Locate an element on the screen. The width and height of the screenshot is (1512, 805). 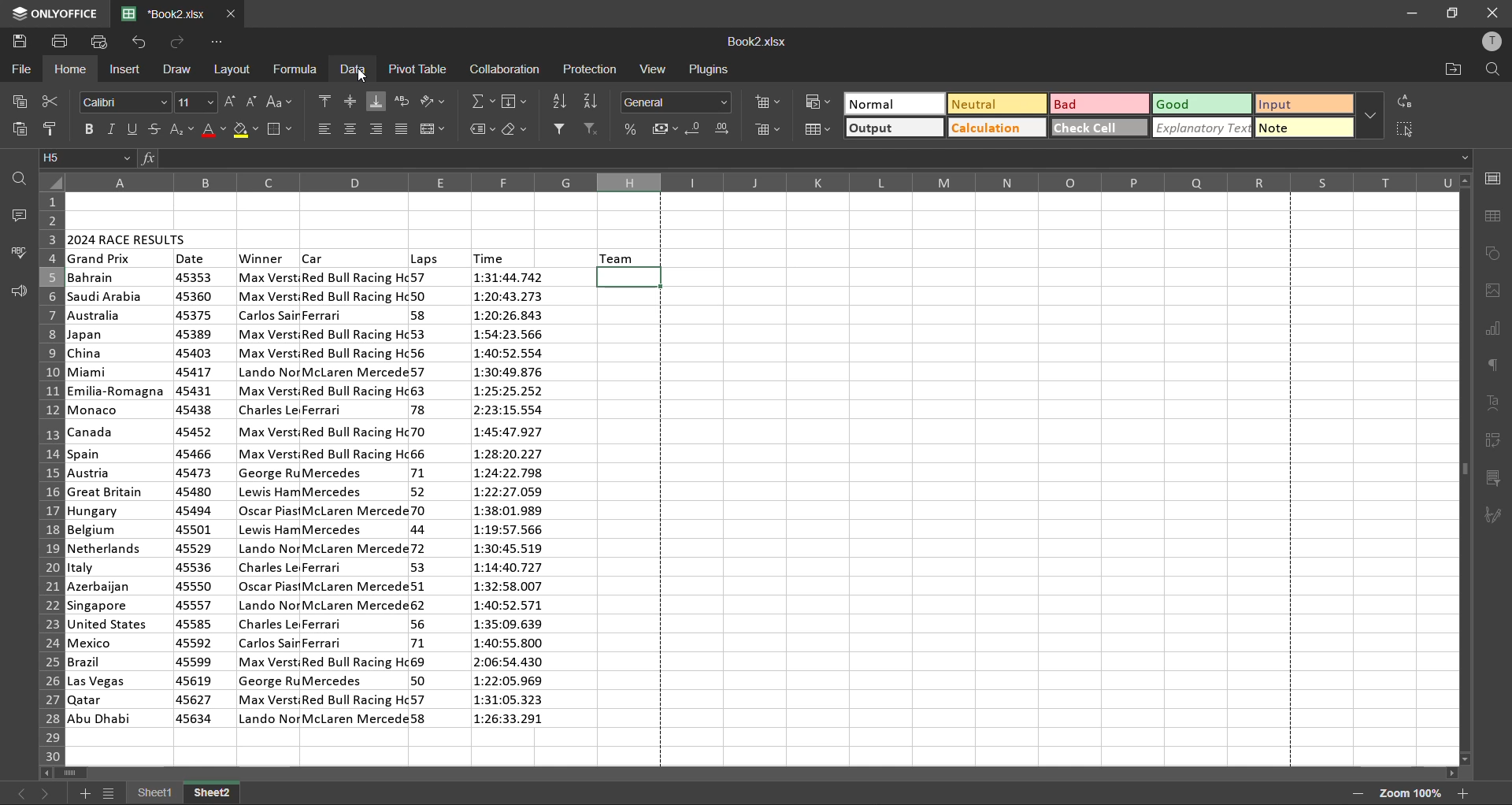
more options is located at coordinates (1370, 117).